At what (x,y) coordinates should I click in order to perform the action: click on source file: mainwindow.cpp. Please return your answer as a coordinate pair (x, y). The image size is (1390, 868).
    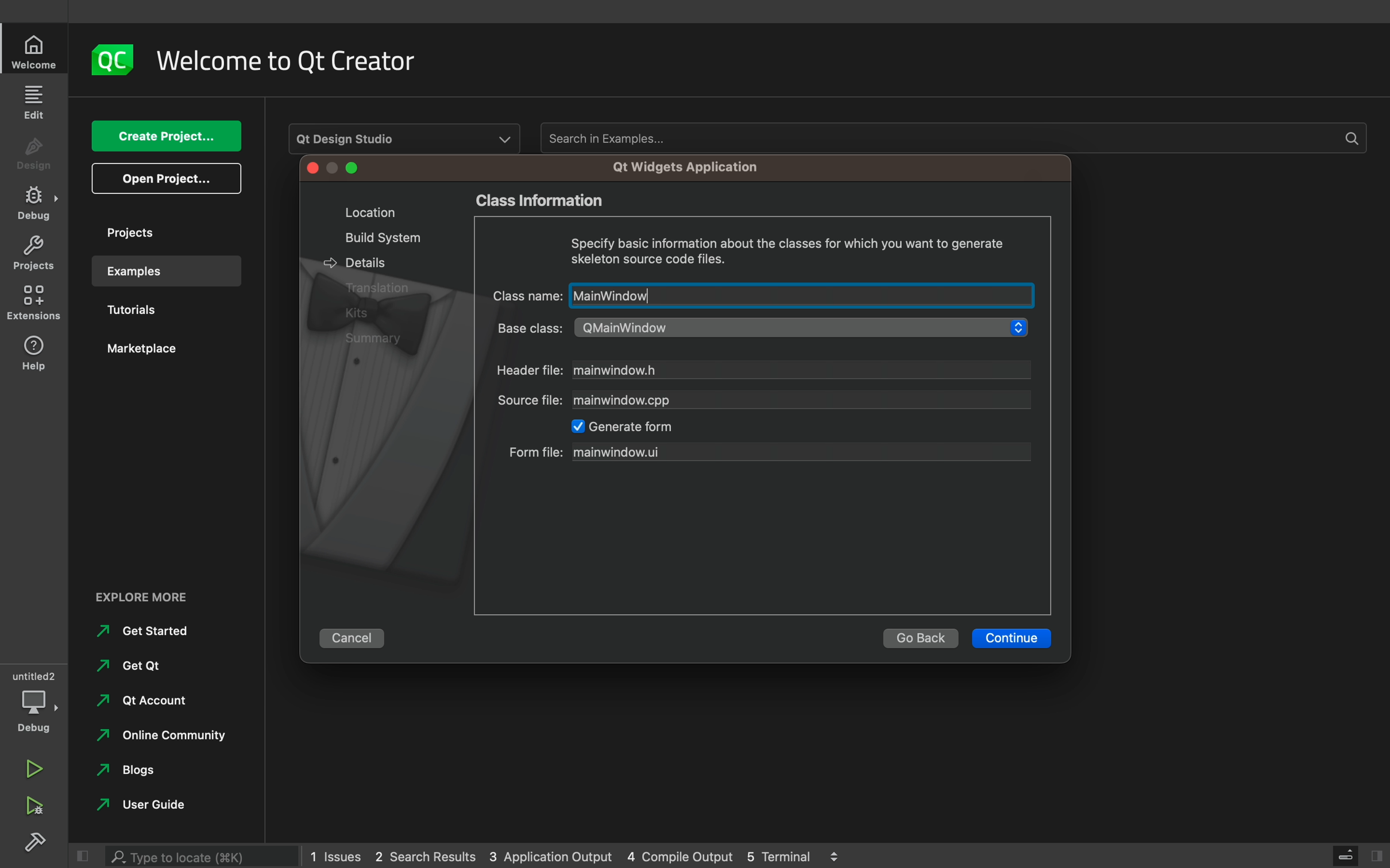
    Looking at the image, I should click on (763, 400).